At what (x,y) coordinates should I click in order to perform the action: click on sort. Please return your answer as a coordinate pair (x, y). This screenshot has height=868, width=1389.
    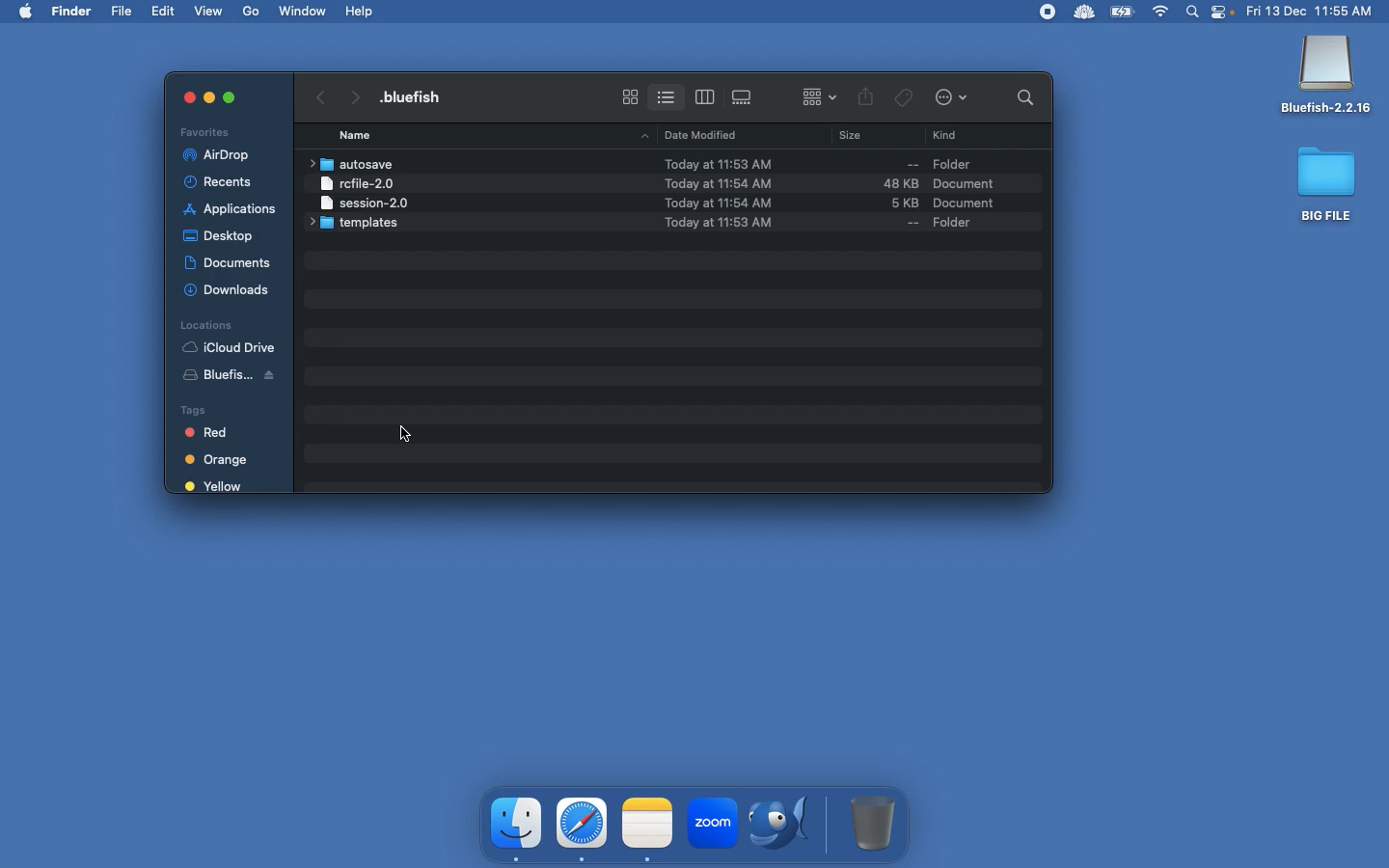
    Looking at the image, I should click on (819, 95).